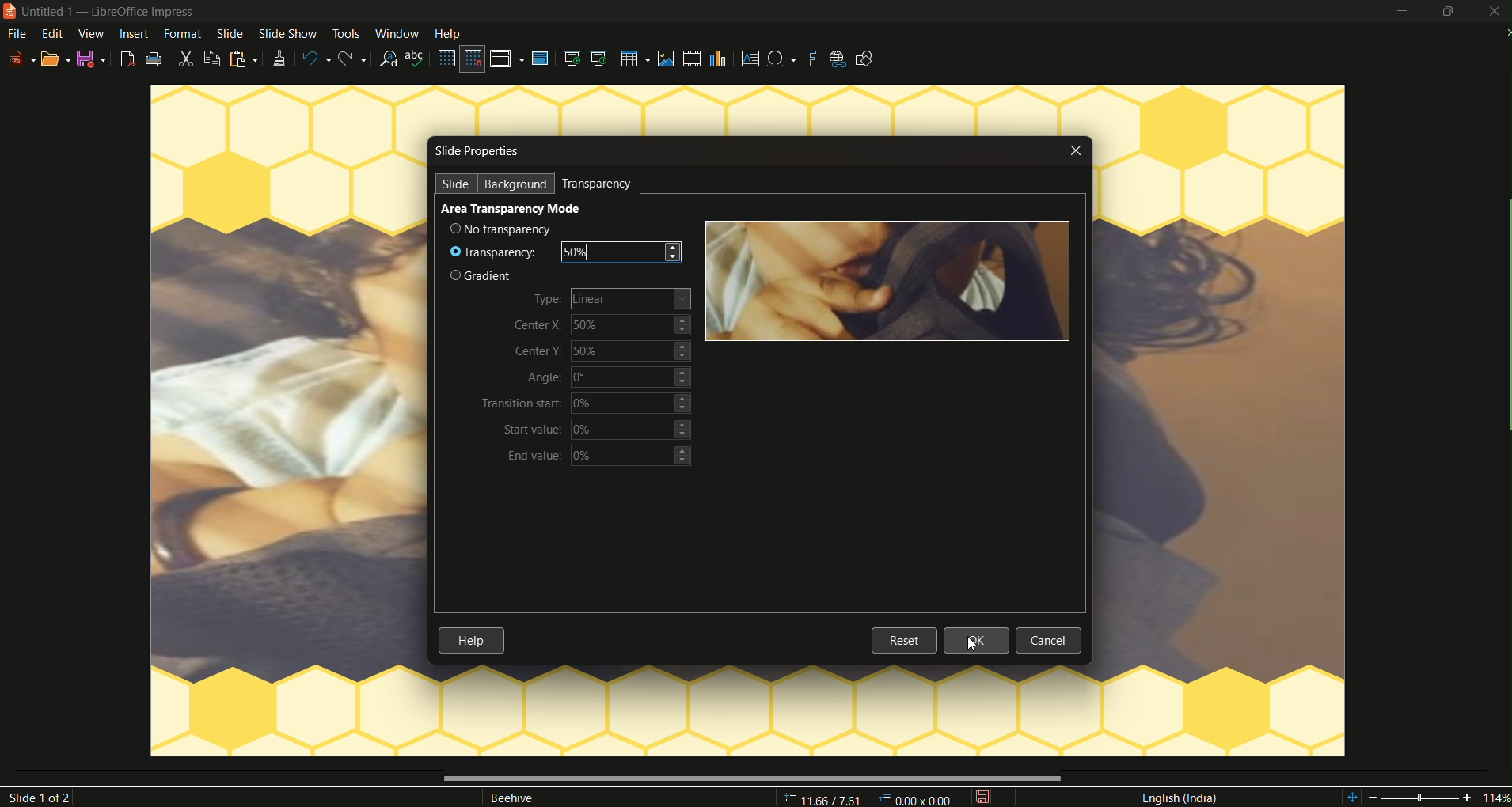 The width and height of the screenshot is (1512, 807). I want to click on display grid, so click(446, 59).